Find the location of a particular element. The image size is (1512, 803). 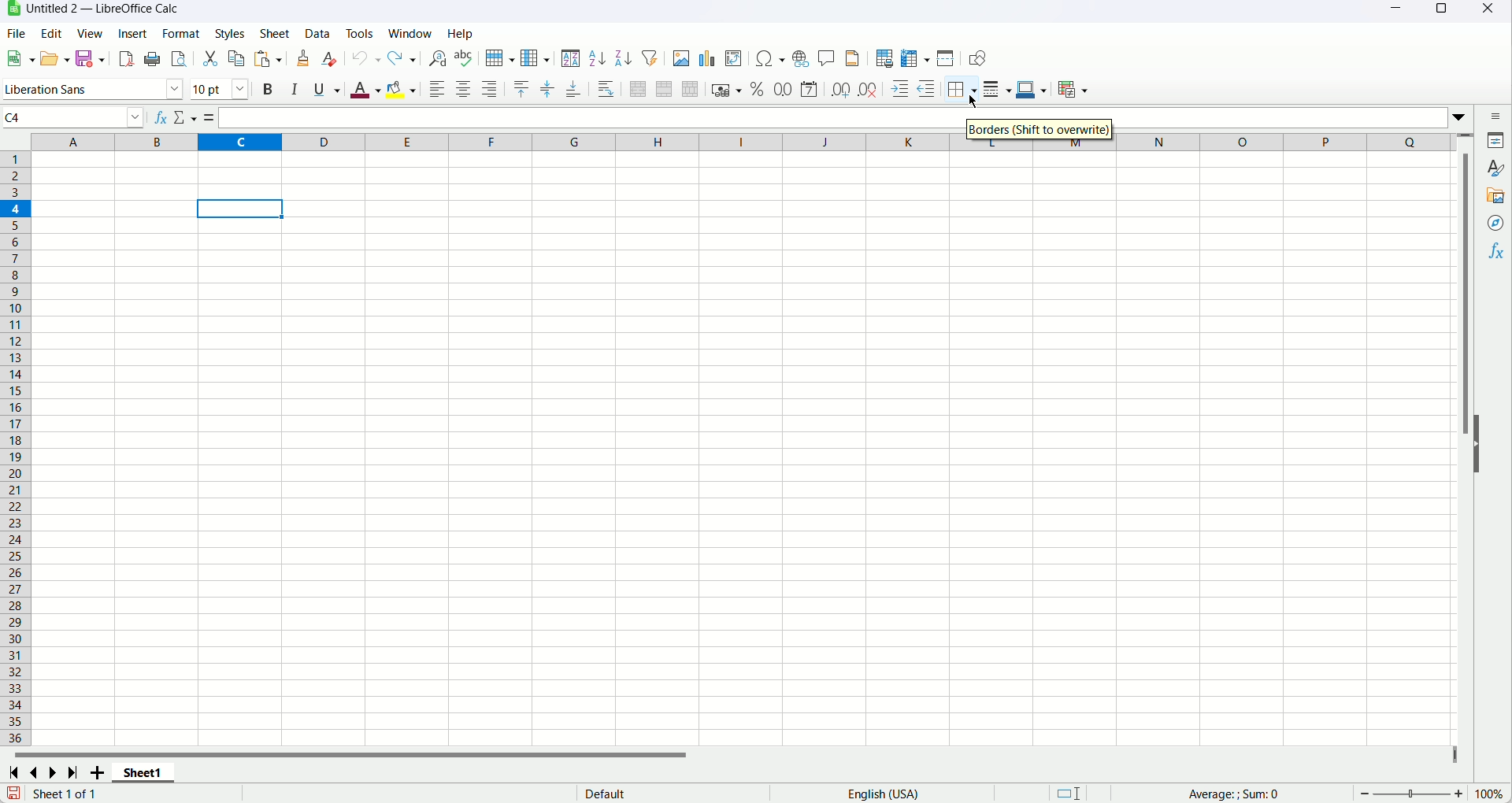

Zoom factor is located at coordinates (1492, 795).